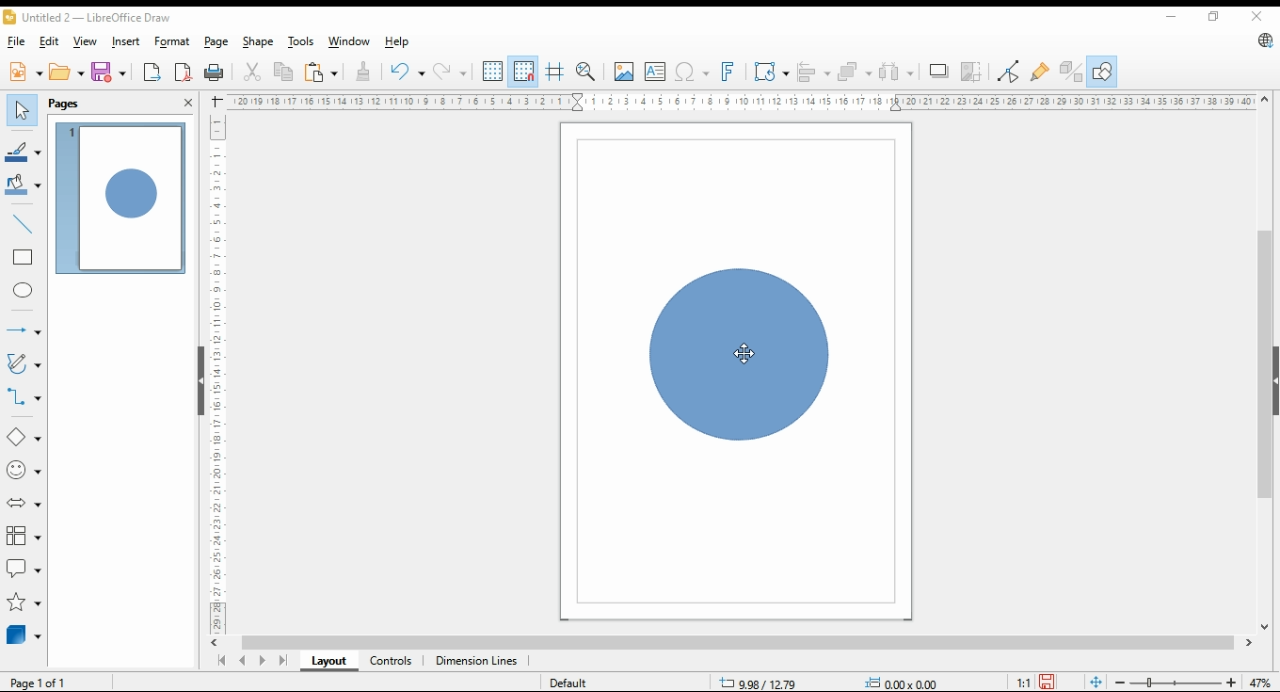 The image size is (1280, 692). What do you see at coordinates (24, 505) in the screenshot?
I see `block arrow` at bounding box center [24, 505].